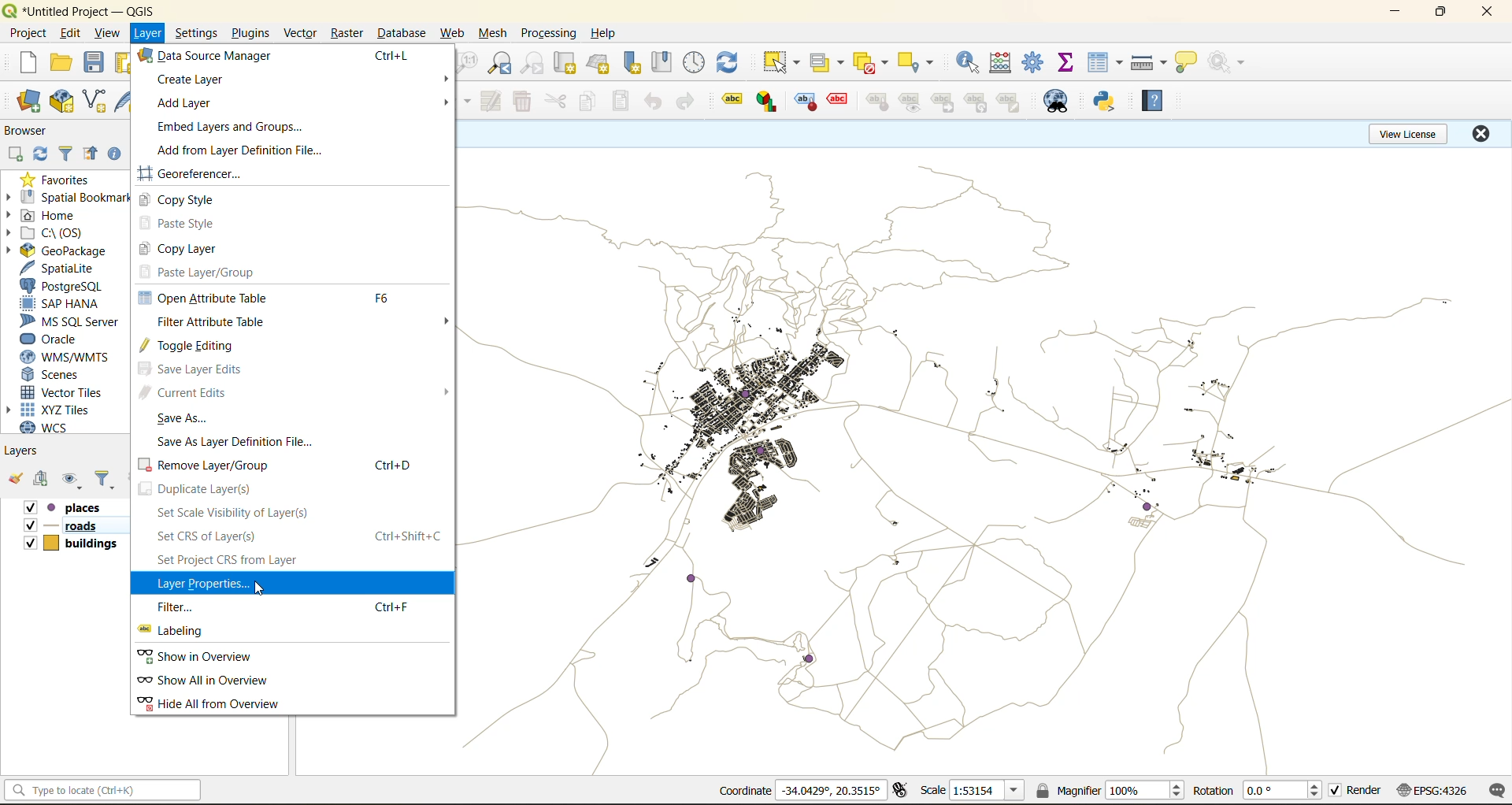  I want to click on label tool 5, so click(876, 103).